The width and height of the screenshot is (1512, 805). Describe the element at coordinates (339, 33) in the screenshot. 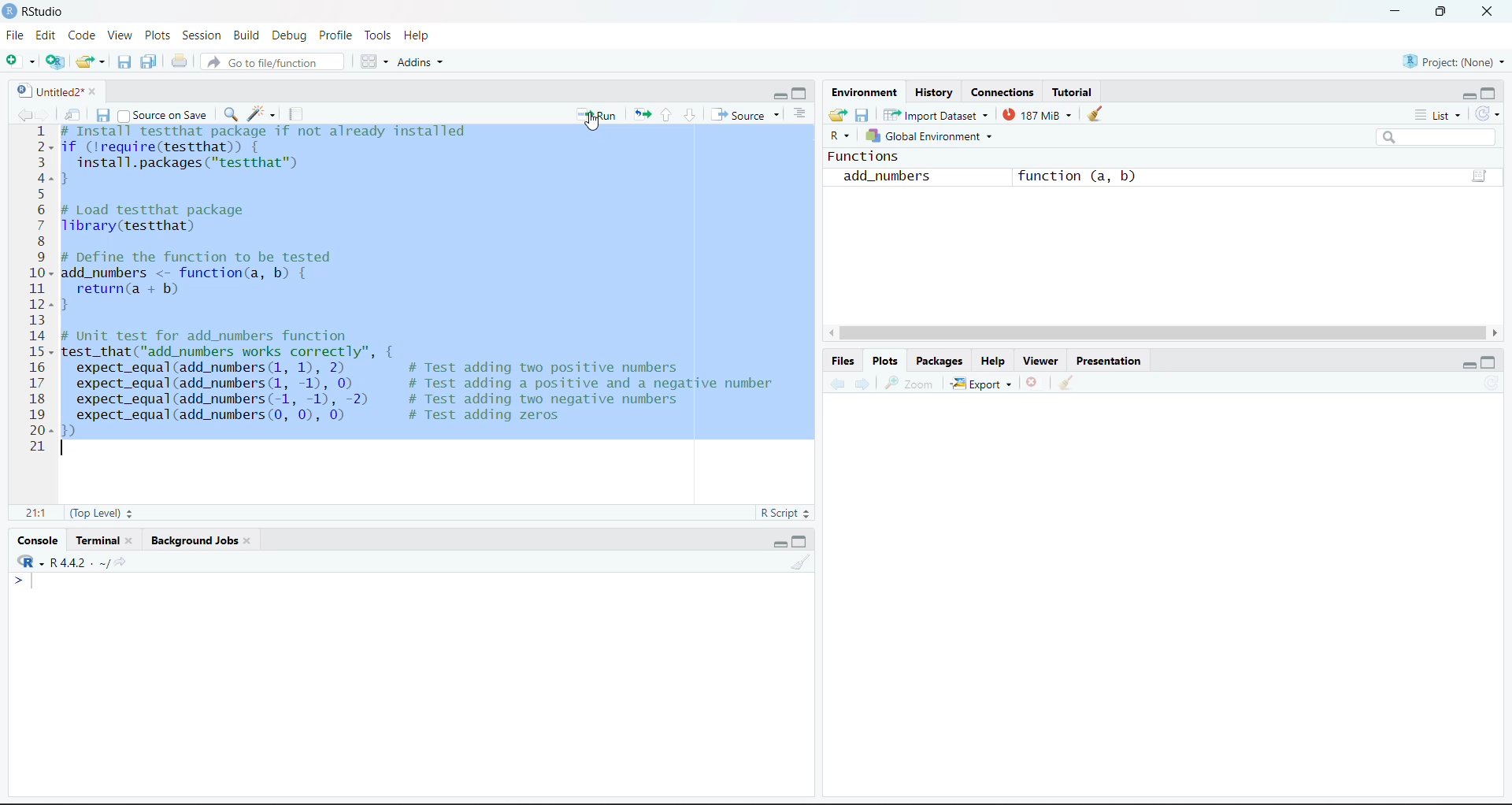

I see `Profile` at that location.